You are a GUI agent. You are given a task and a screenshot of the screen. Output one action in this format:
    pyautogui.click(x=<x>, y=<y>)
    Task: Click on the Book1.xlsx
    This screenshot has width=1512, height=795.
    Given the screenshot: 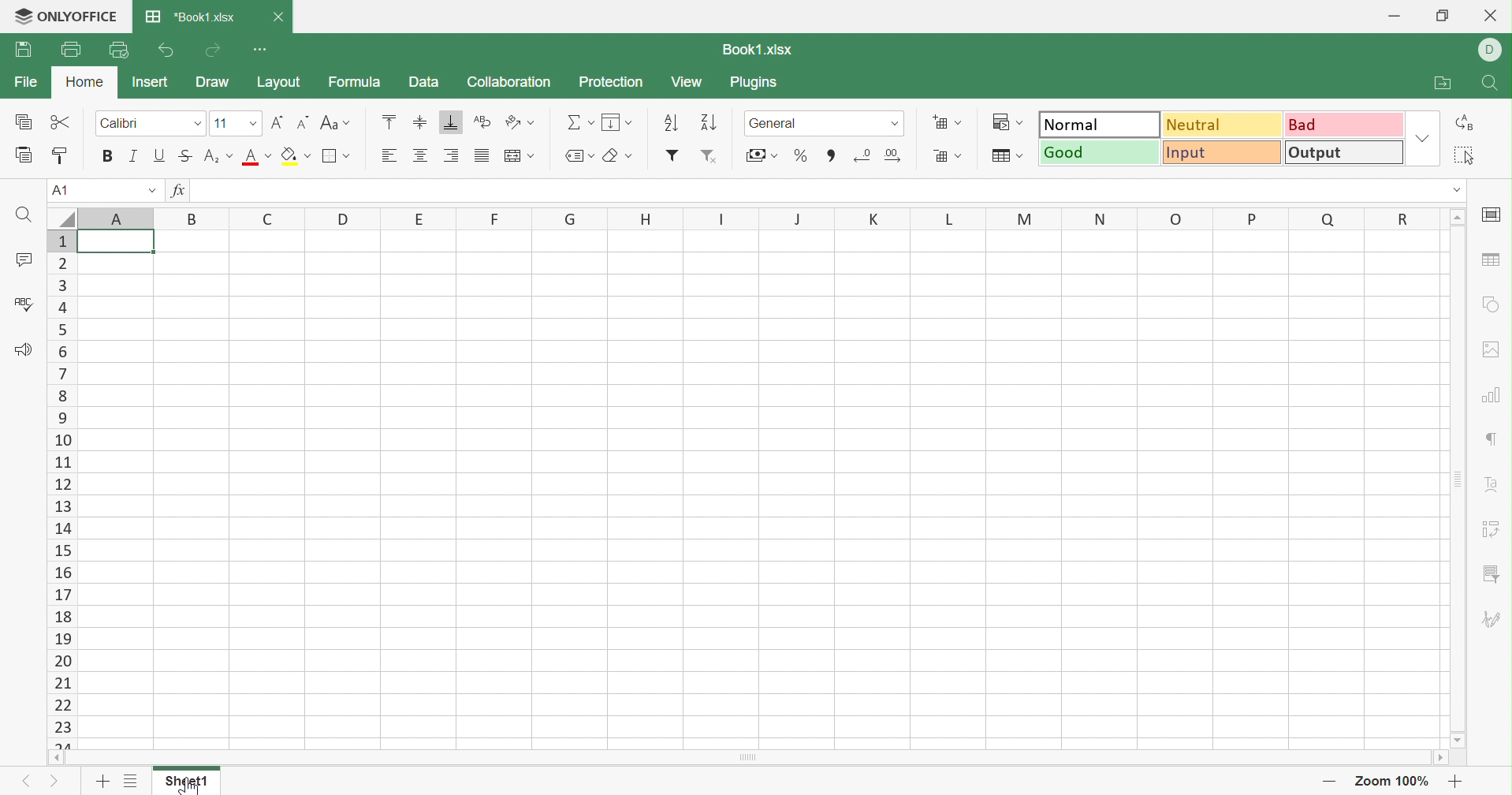 What is the action you would take?
    pyautogui.click(x=757, y=48)
    